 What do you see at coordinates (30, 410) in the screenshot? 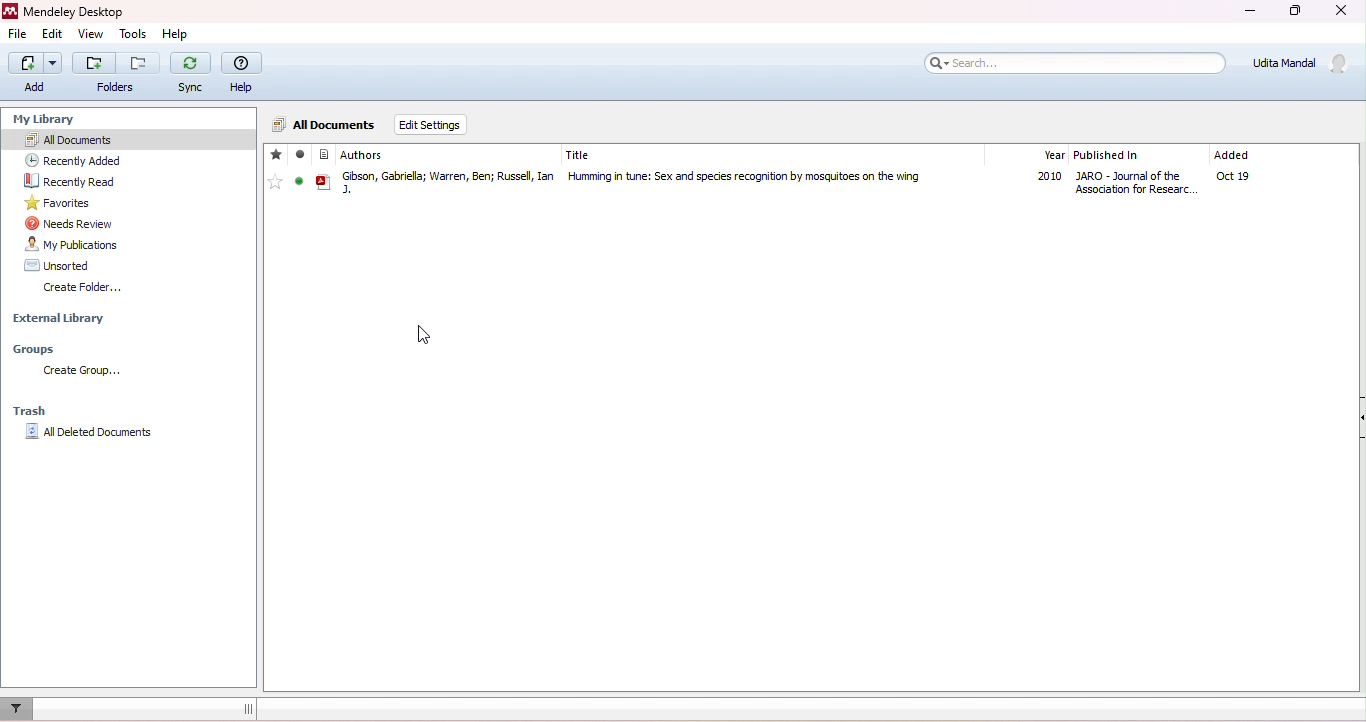
I see `trash` at bounding box center [30, 410].